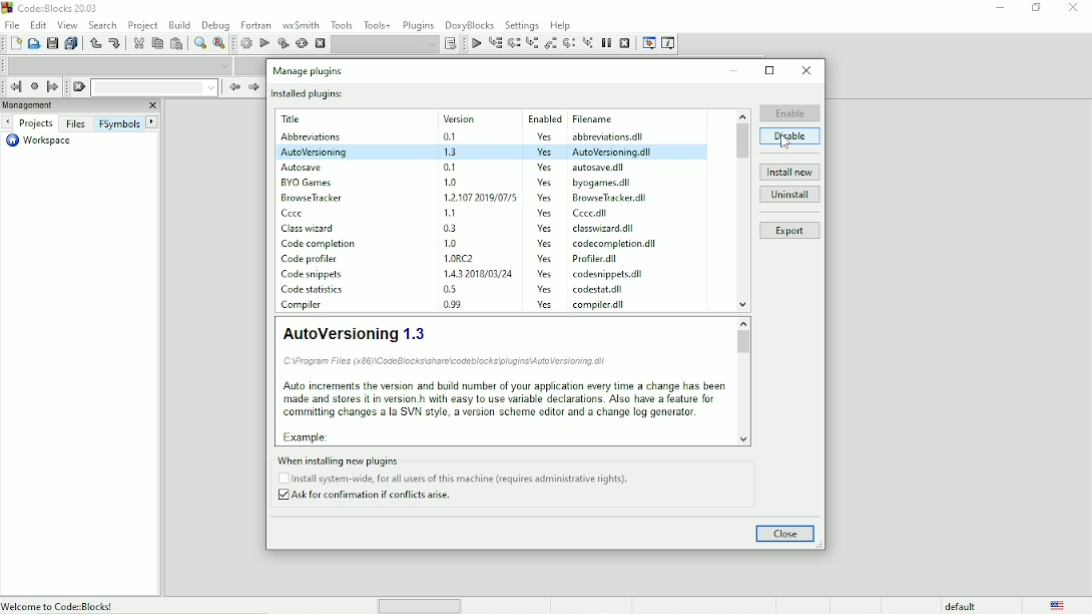 This screenshot has width=1092, height=614. Describe the element at coordinates (53, 10) in the screenshot. I see `Title` at that location.